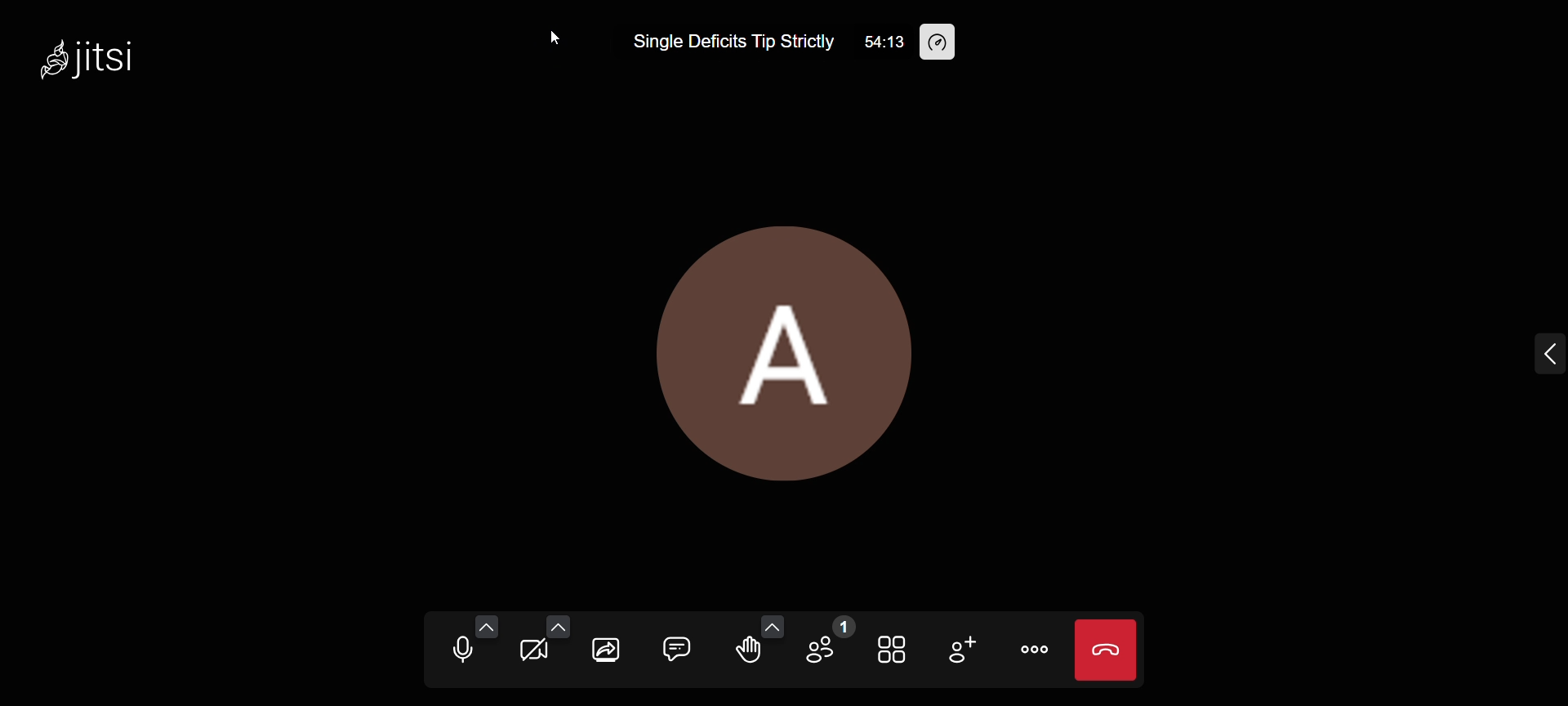 This screenshot has height=706, width=1568. I want to click on raise hand, so click(746, 653).